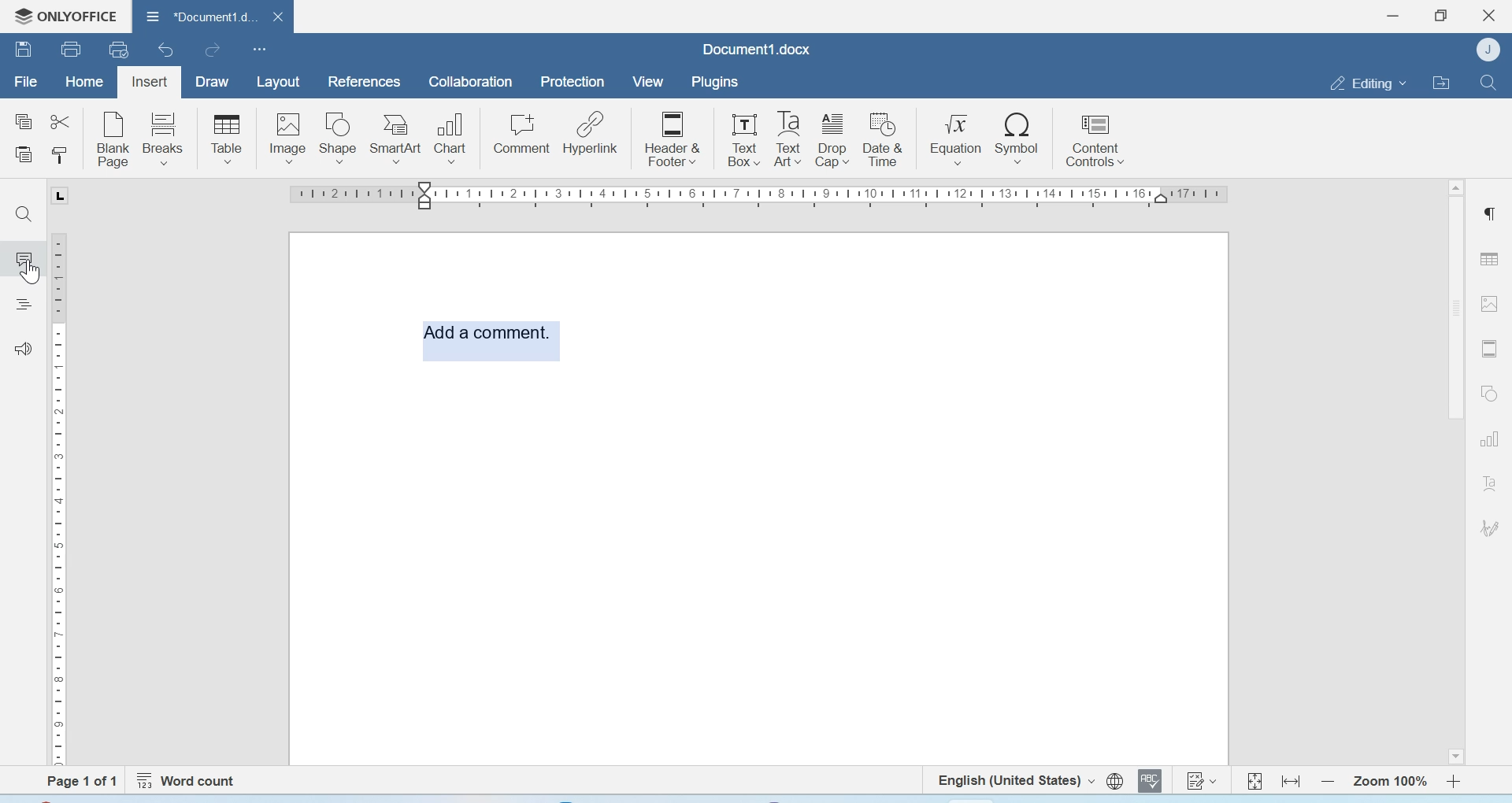 The image size is (1512, 803). What do you see at coordinates (1441, 82) in the screenshot?
I see `Open file location` at bounding box center [1441, 82].